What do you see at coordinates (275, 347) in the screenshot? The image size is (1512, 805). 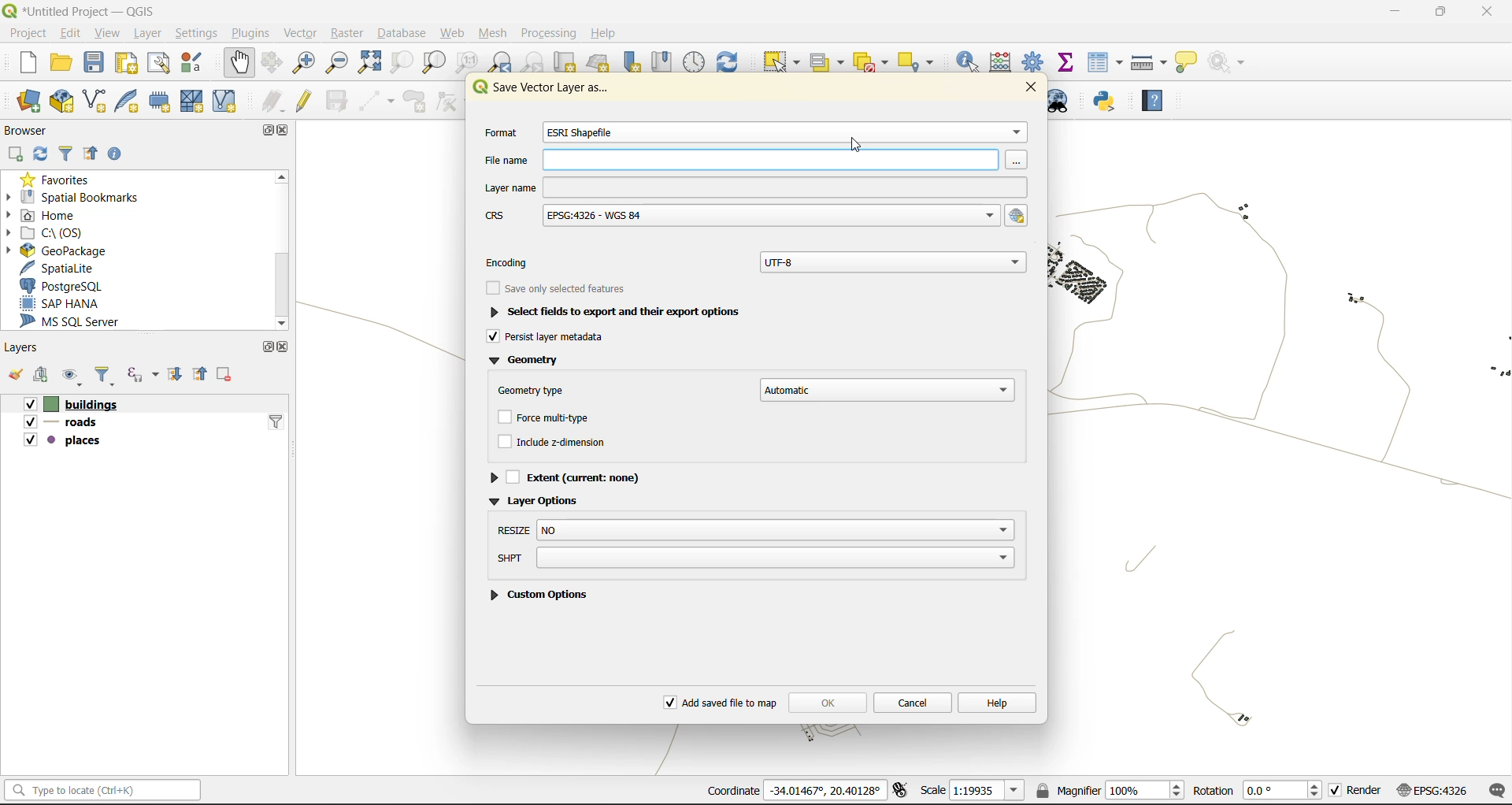 I see `maximize` at bounding box center [275, 347].